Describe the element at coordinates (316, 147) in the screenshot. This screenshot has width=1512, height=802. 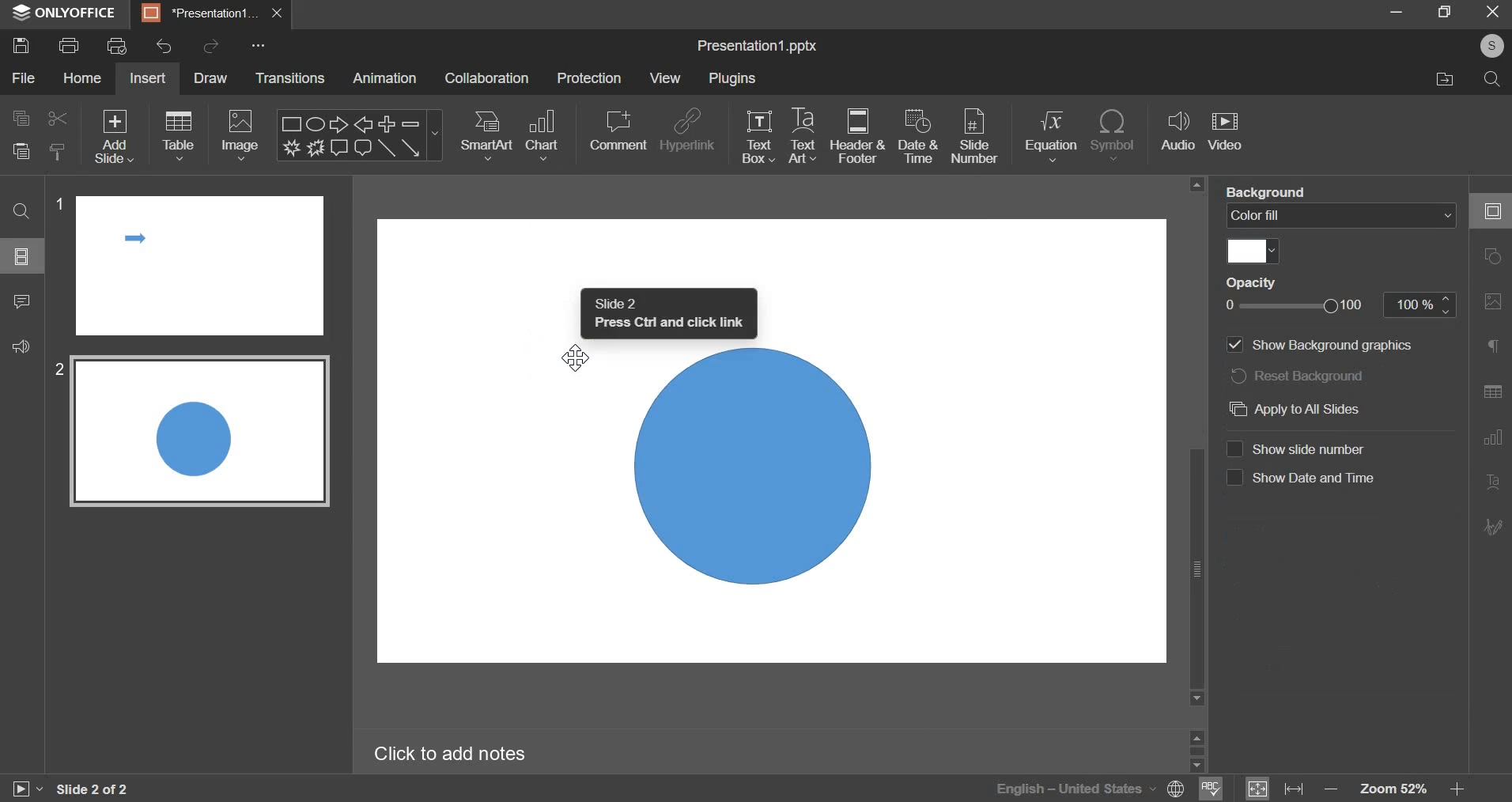
I see `Explosion 2` at that location.